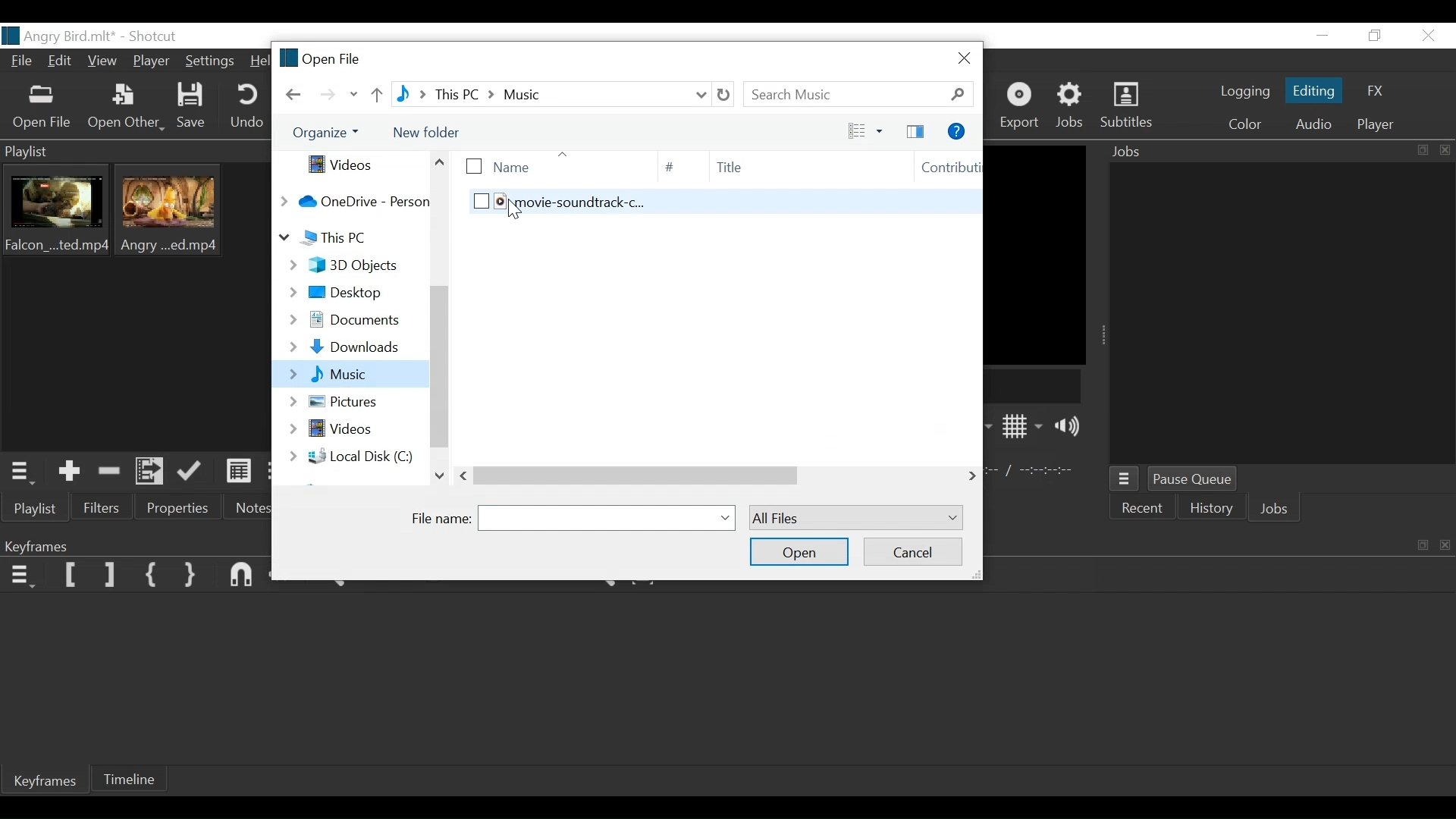  I want to click on Go Up, so click(375, 96).